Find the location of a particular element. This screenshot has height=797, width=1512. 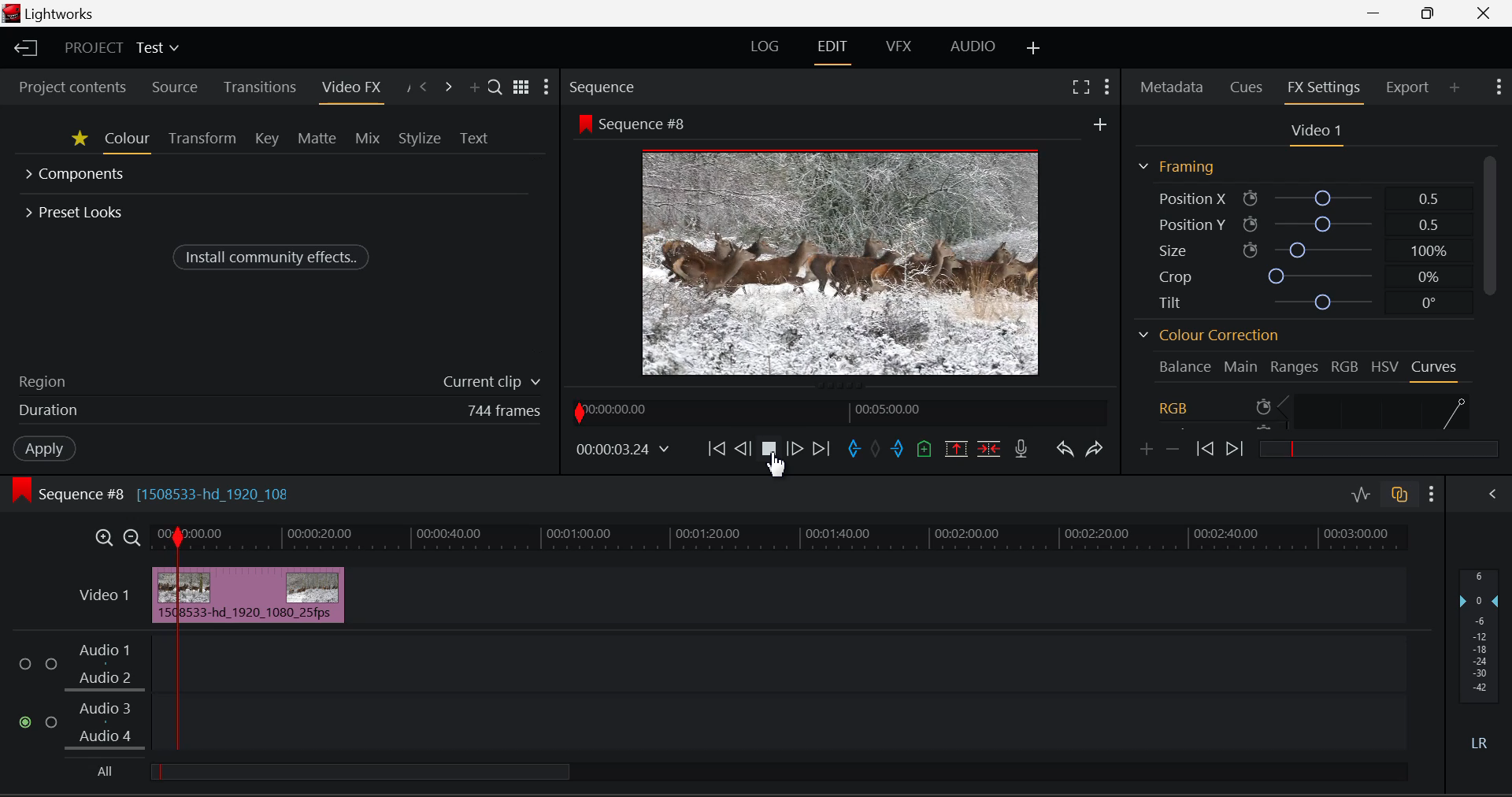

Lightworks is located at coordinates (64, 13).